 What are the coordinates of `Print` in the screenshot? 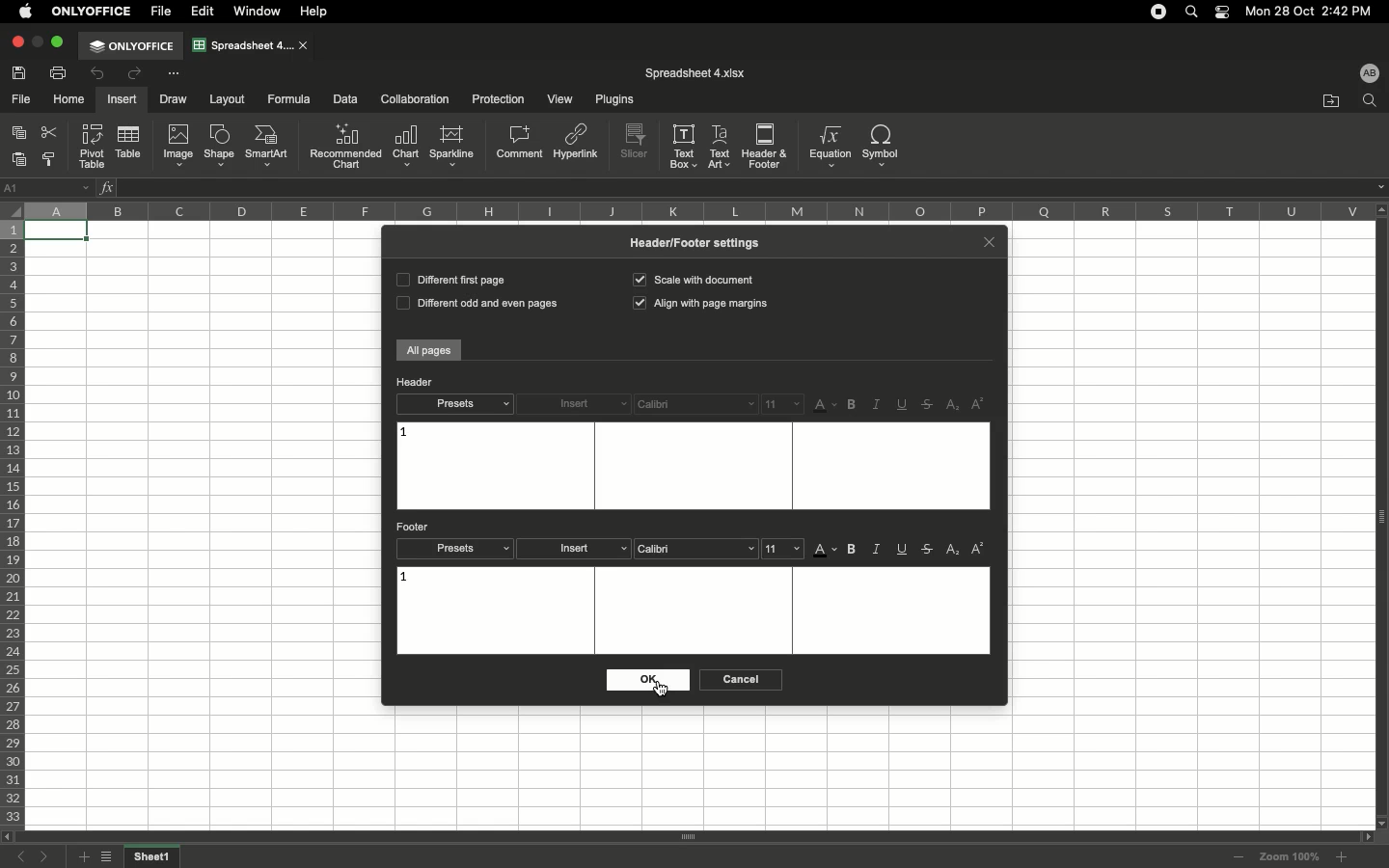 It's located at (60, 72).